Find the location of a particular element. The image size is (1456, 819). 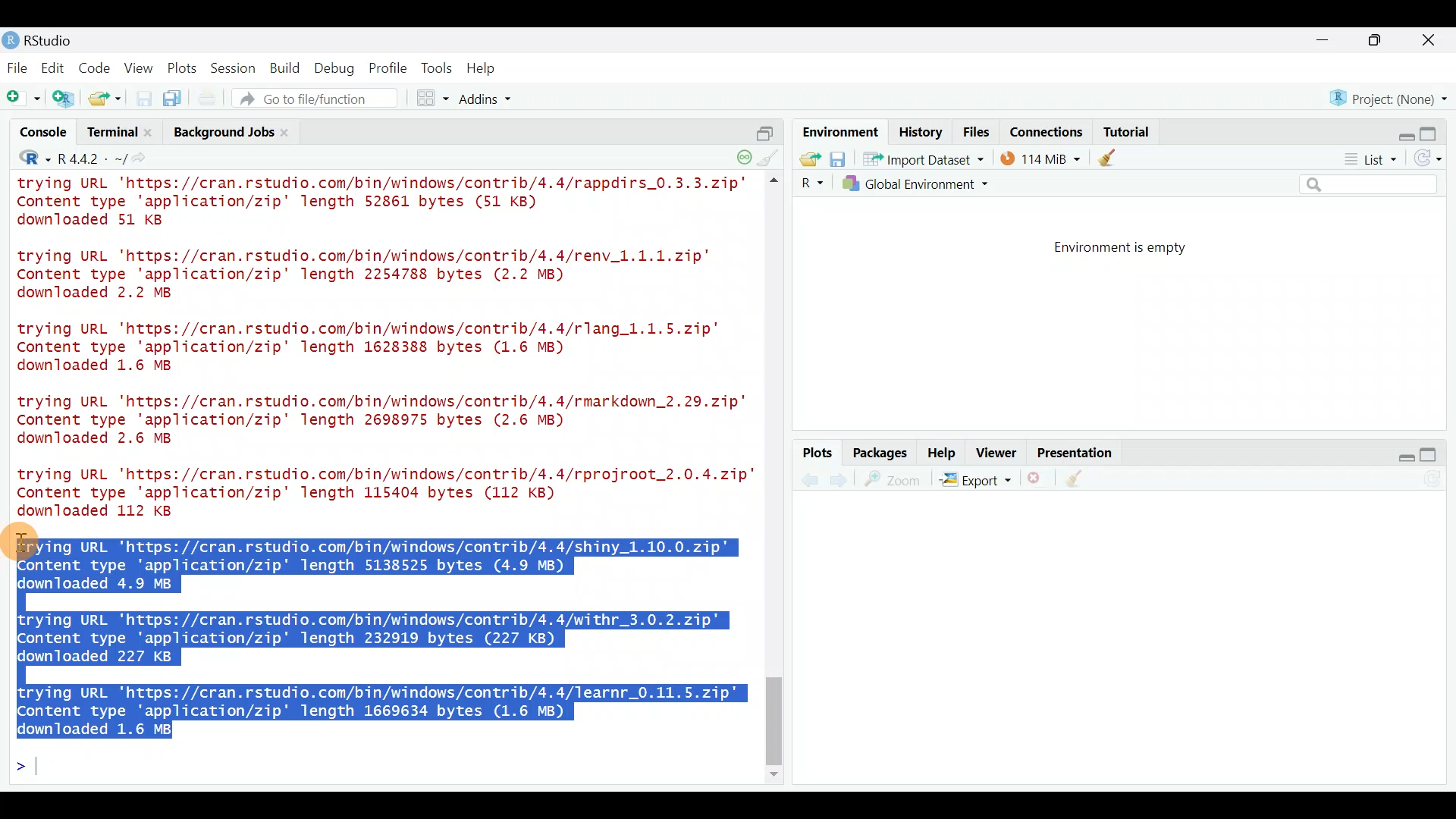

Close background jobs is located at coordinates (293, 132).